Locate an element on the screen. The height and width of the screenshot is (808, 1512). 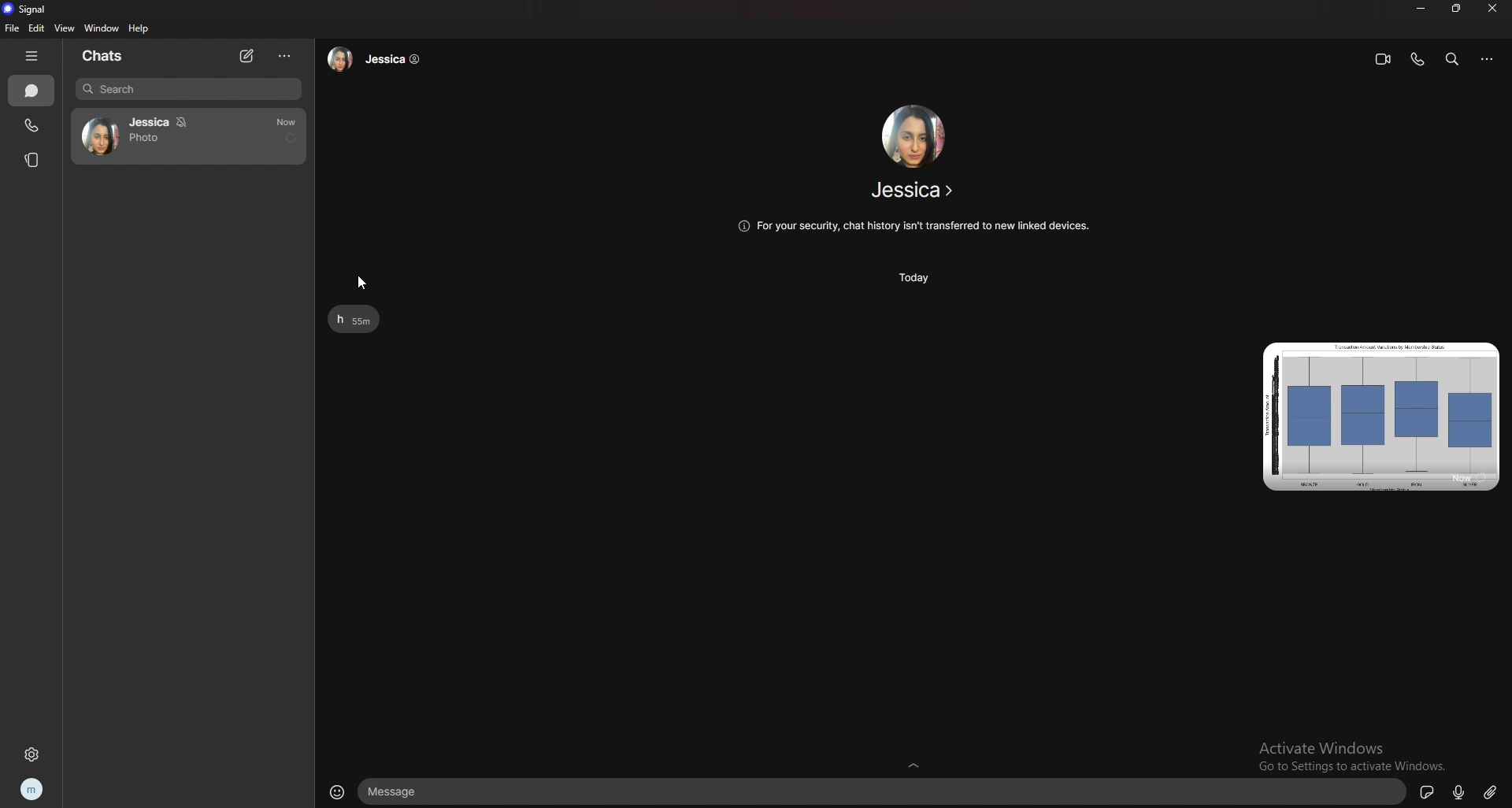
voice type is located at coordinates (1460, 790).